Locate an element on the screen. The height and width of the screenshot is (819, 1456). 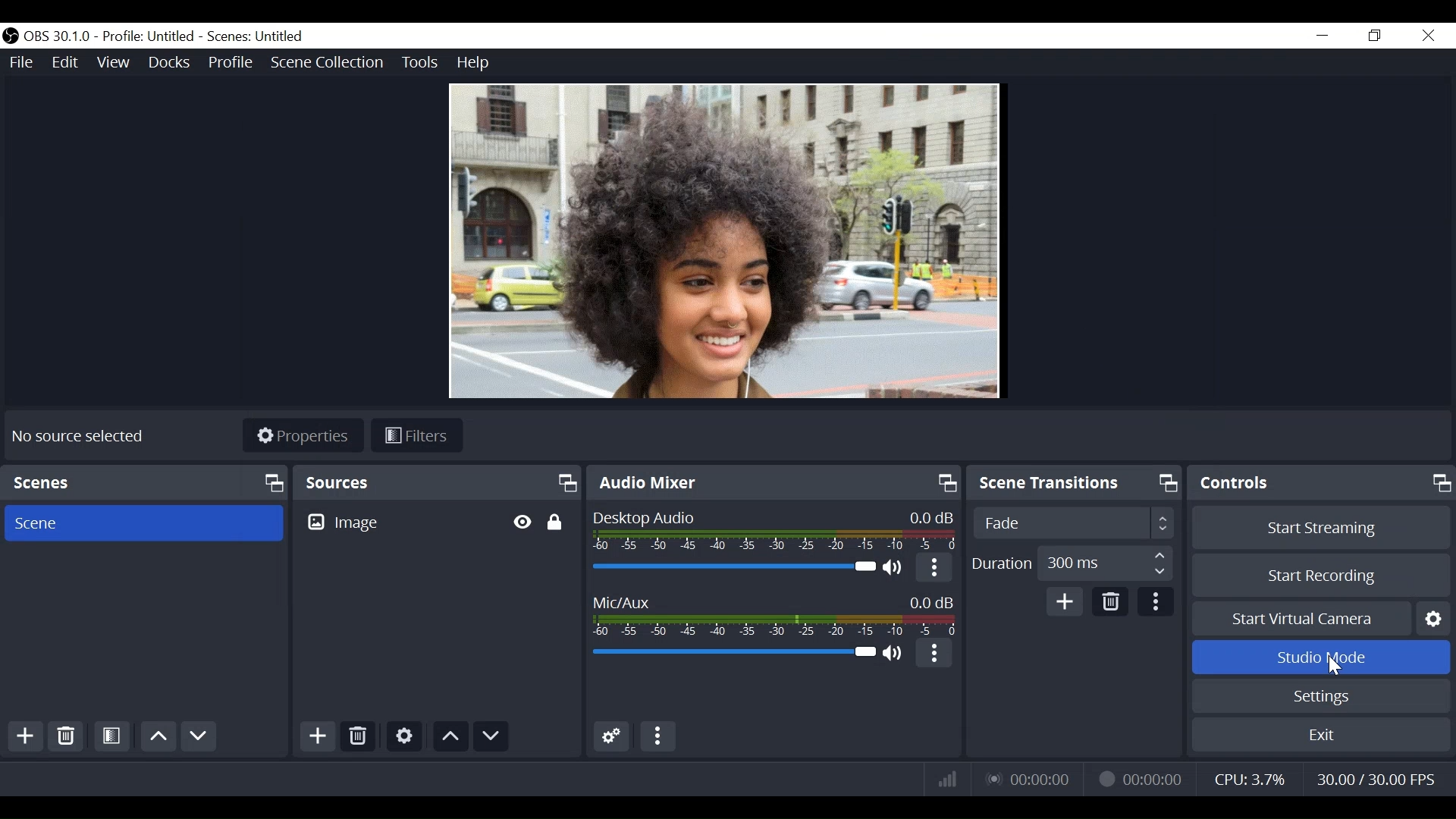
move source down is located at coordinates (492, 737).